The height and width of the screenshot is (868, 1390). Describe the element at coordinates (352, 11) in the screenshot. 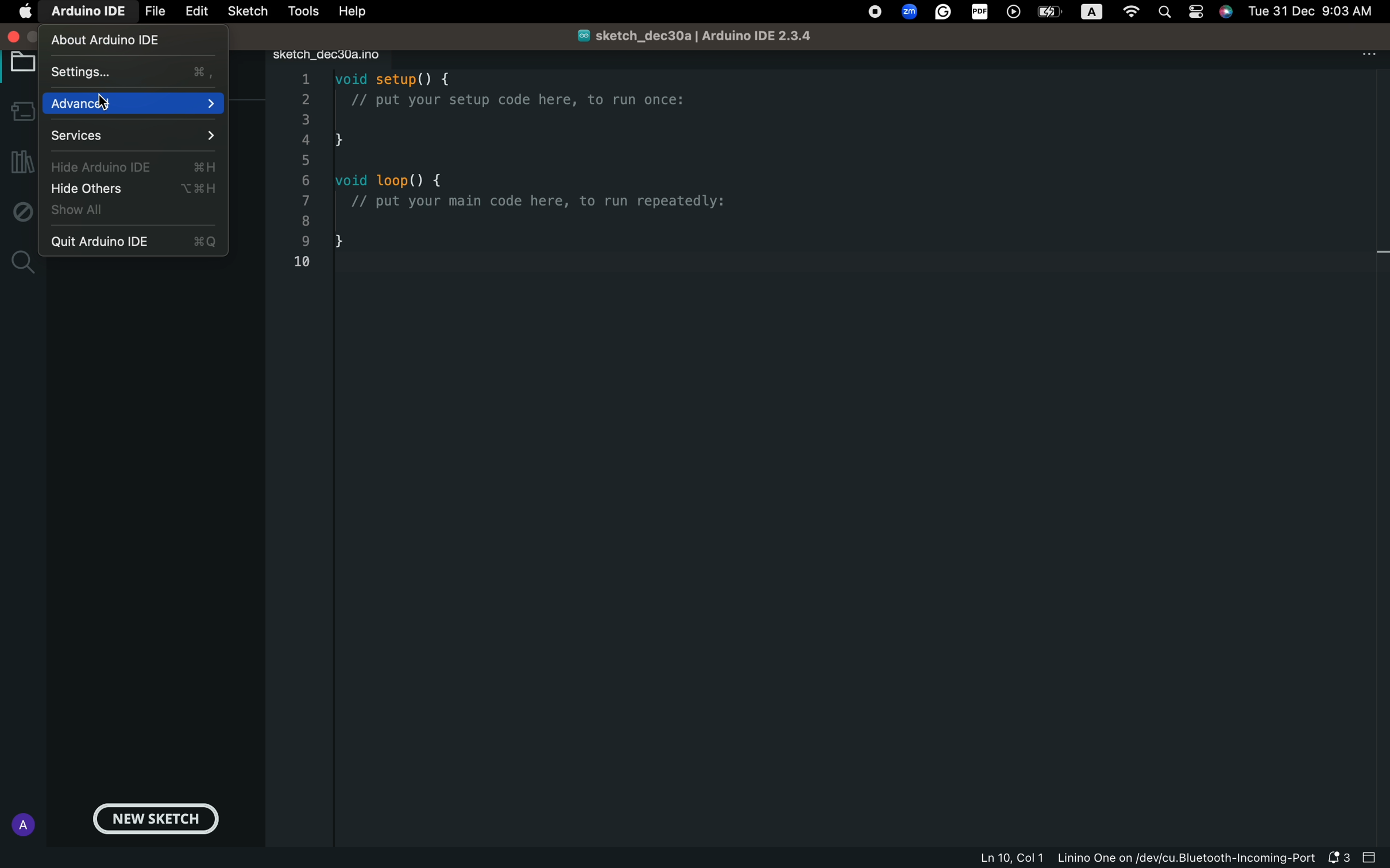

I see `help` at that location.